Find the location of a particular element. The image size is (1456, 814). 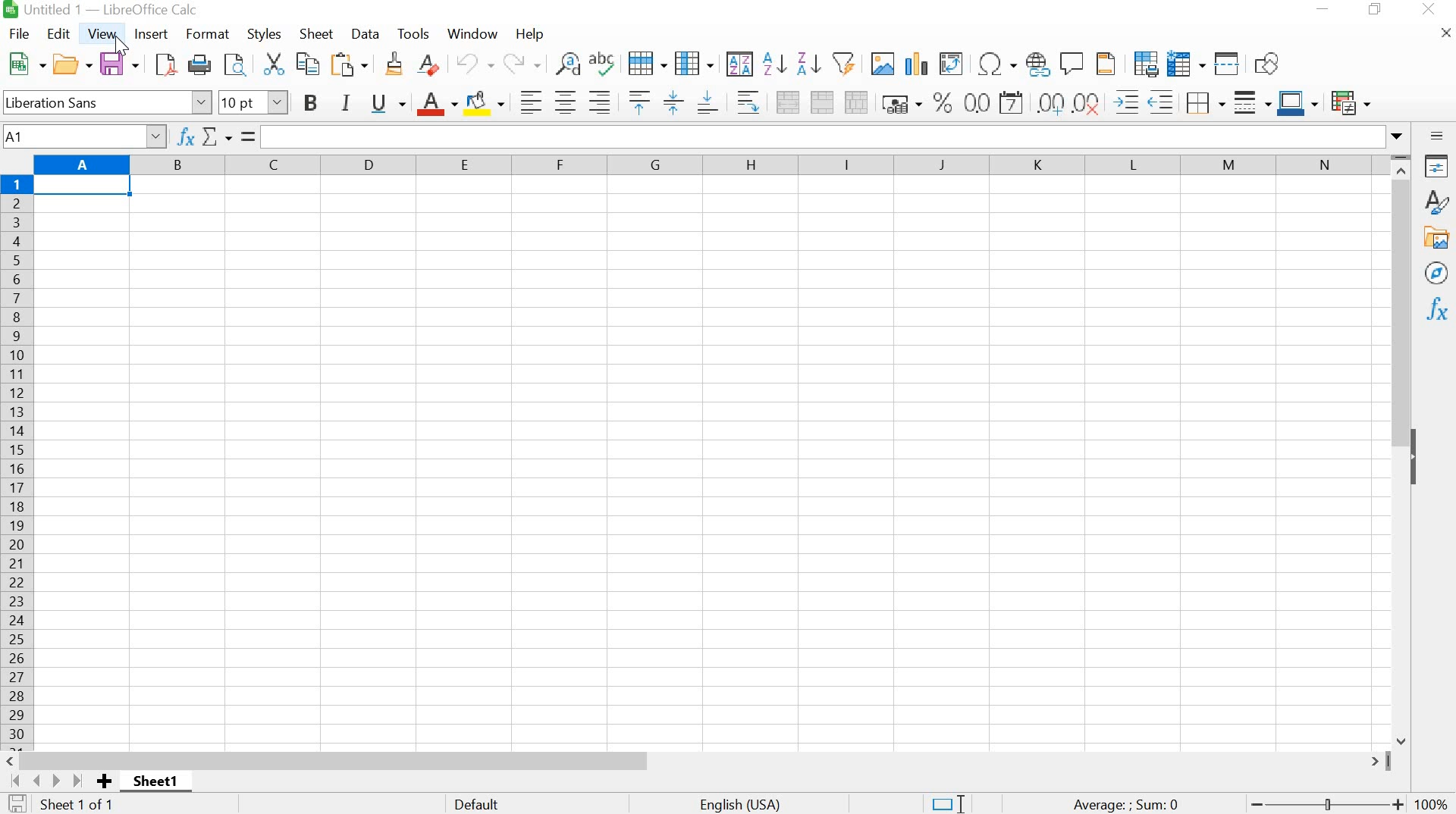

CLONE FORMATTING is located at coordinates (393, 65).